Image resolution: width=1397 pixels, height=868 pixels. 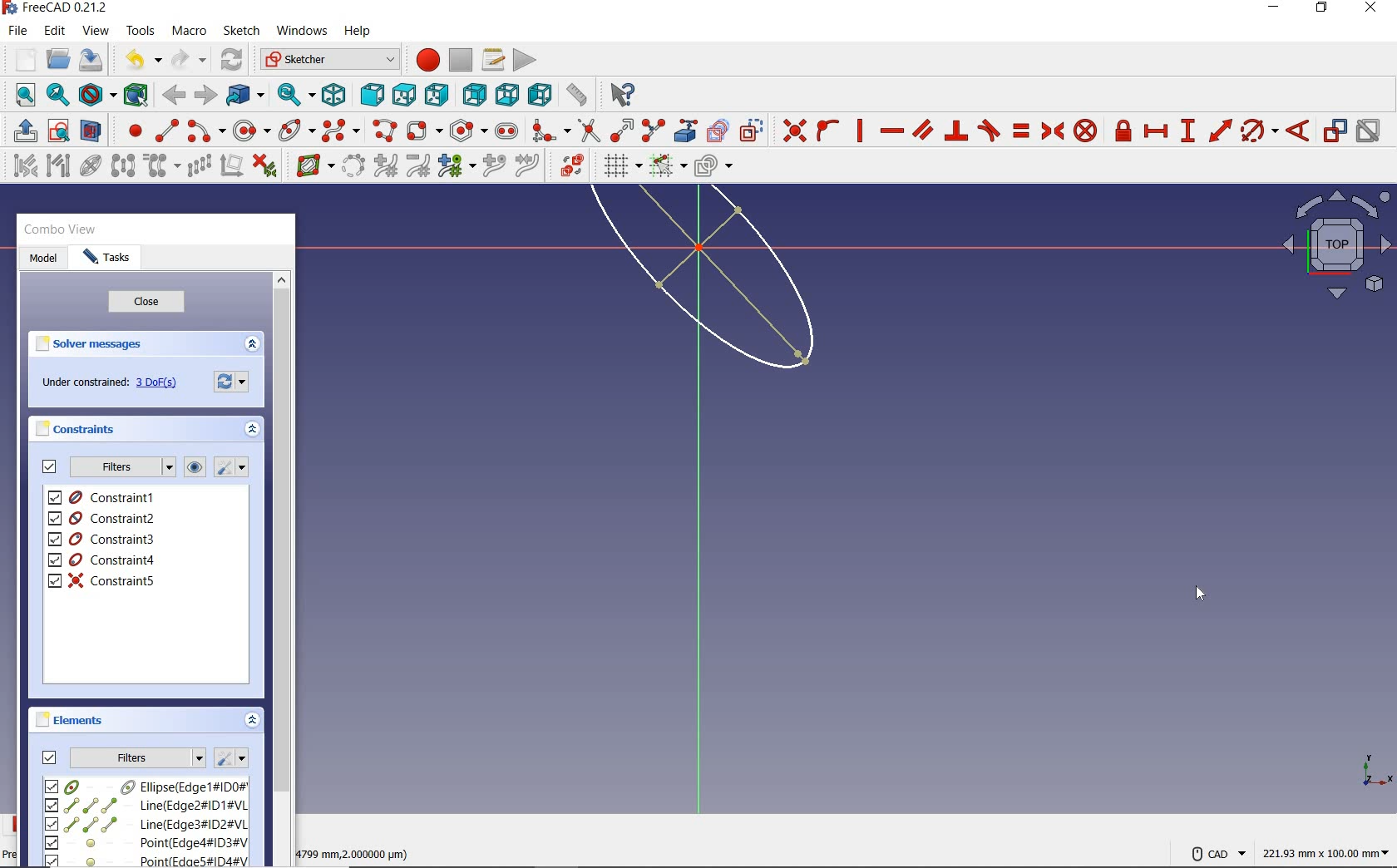 I want to click on model, so click(x=43, y=259).